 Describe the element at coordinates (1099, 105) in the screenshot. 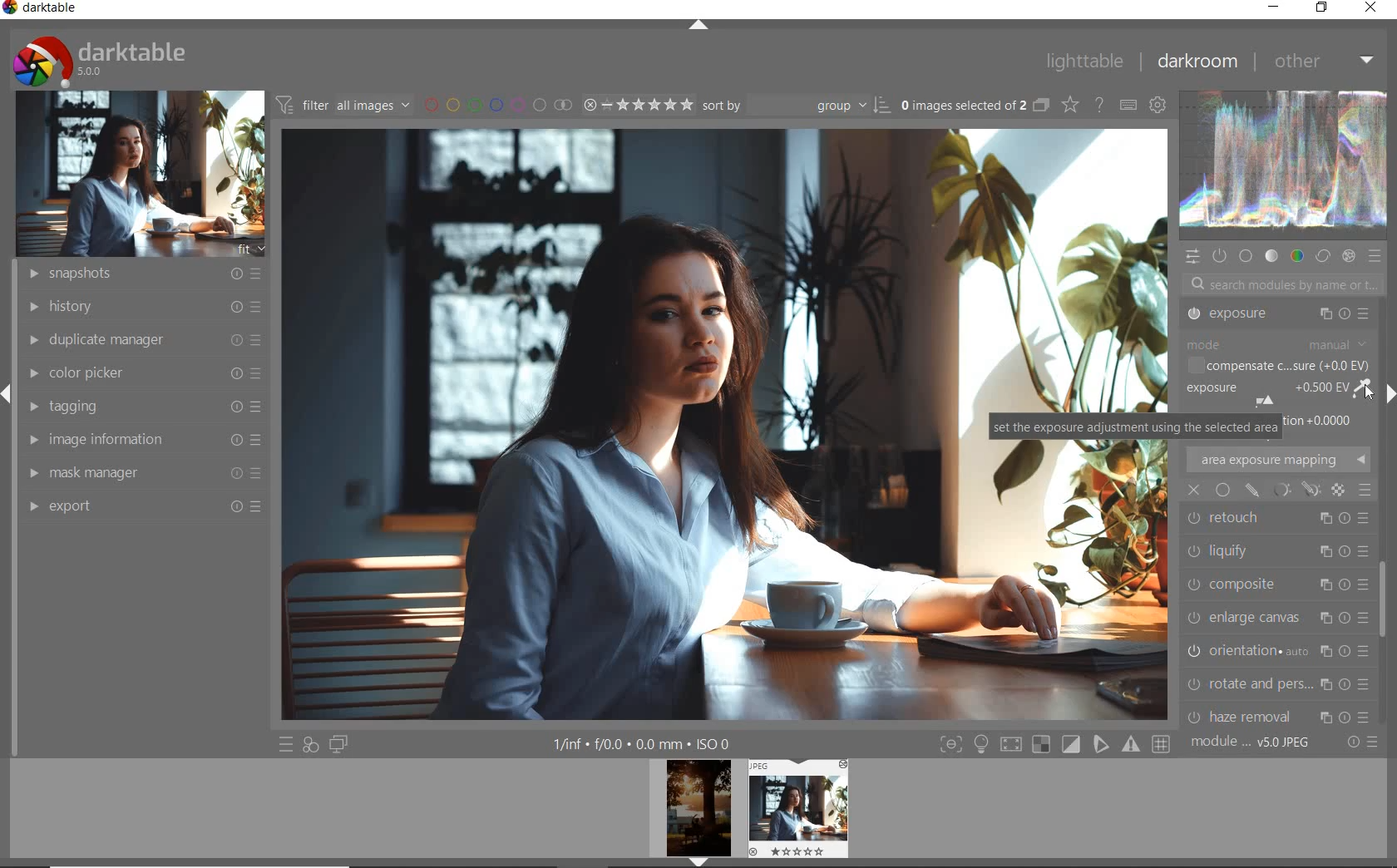

I see `ENABLE FOR ONLINE HELP` at that location.